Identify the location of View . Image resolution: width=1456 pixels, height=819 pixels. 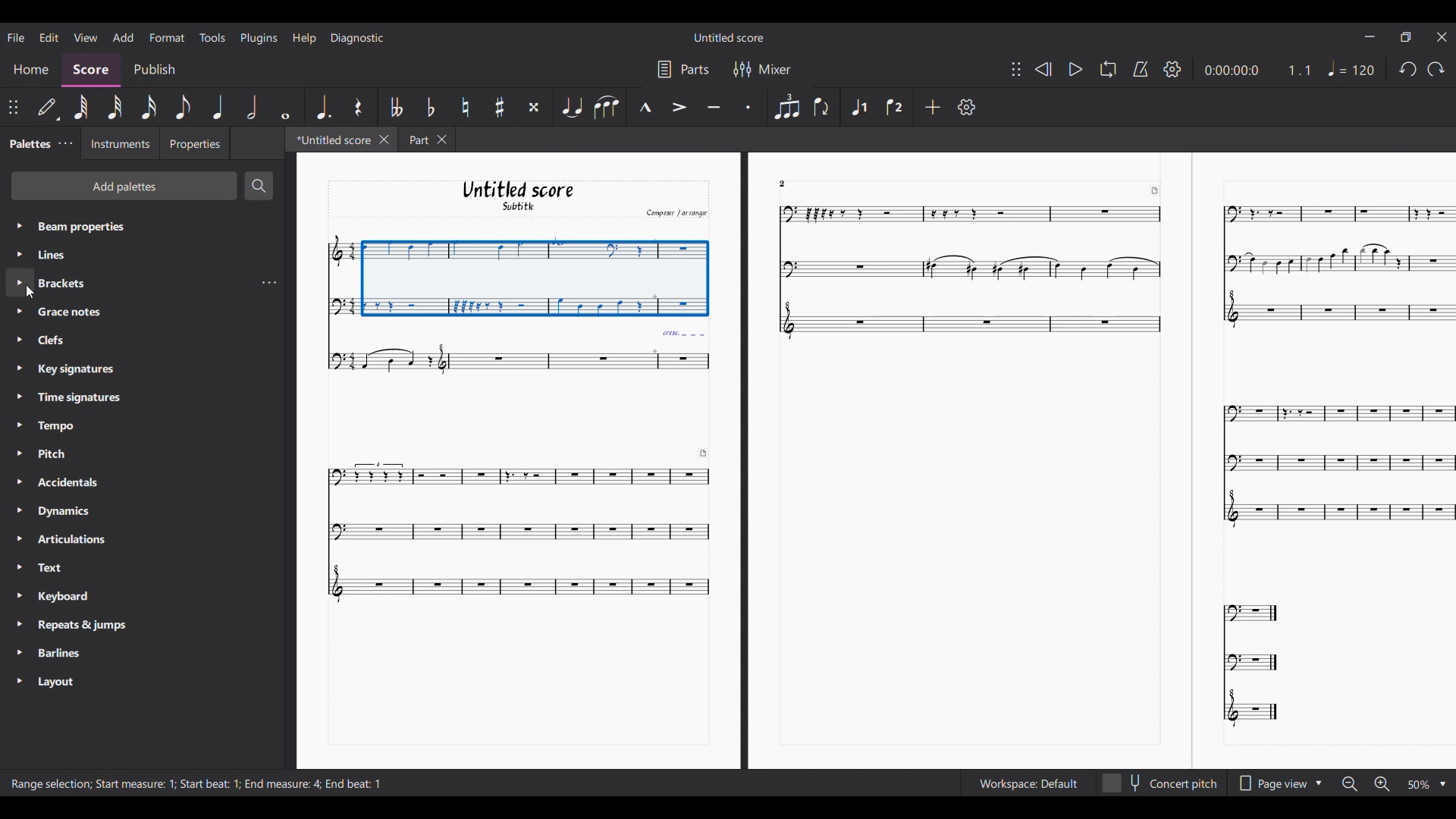
(86, 37).